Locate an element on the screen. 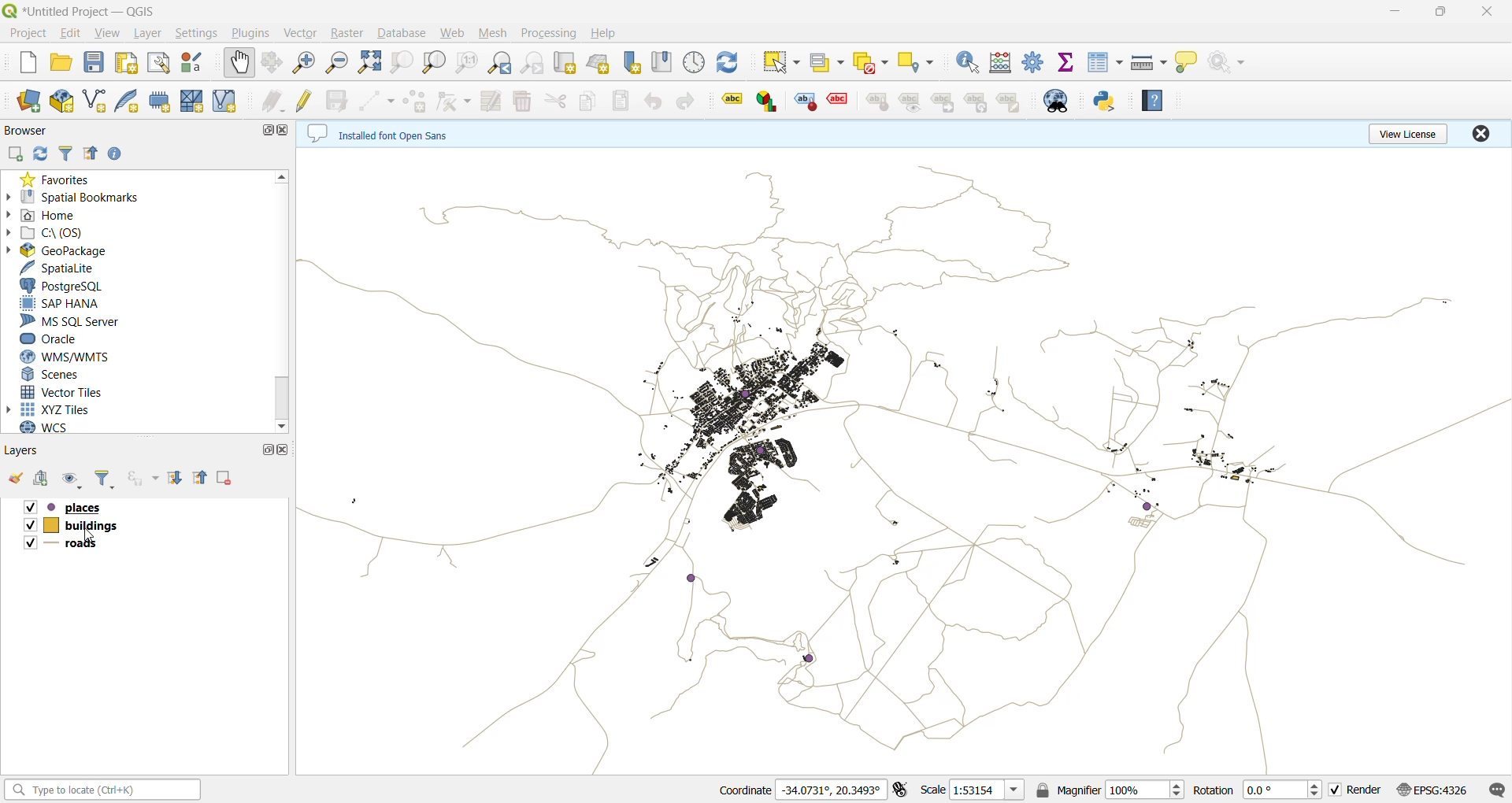 This screenshot has height=803, width=1512. cut is located at coordinates (554, 100).